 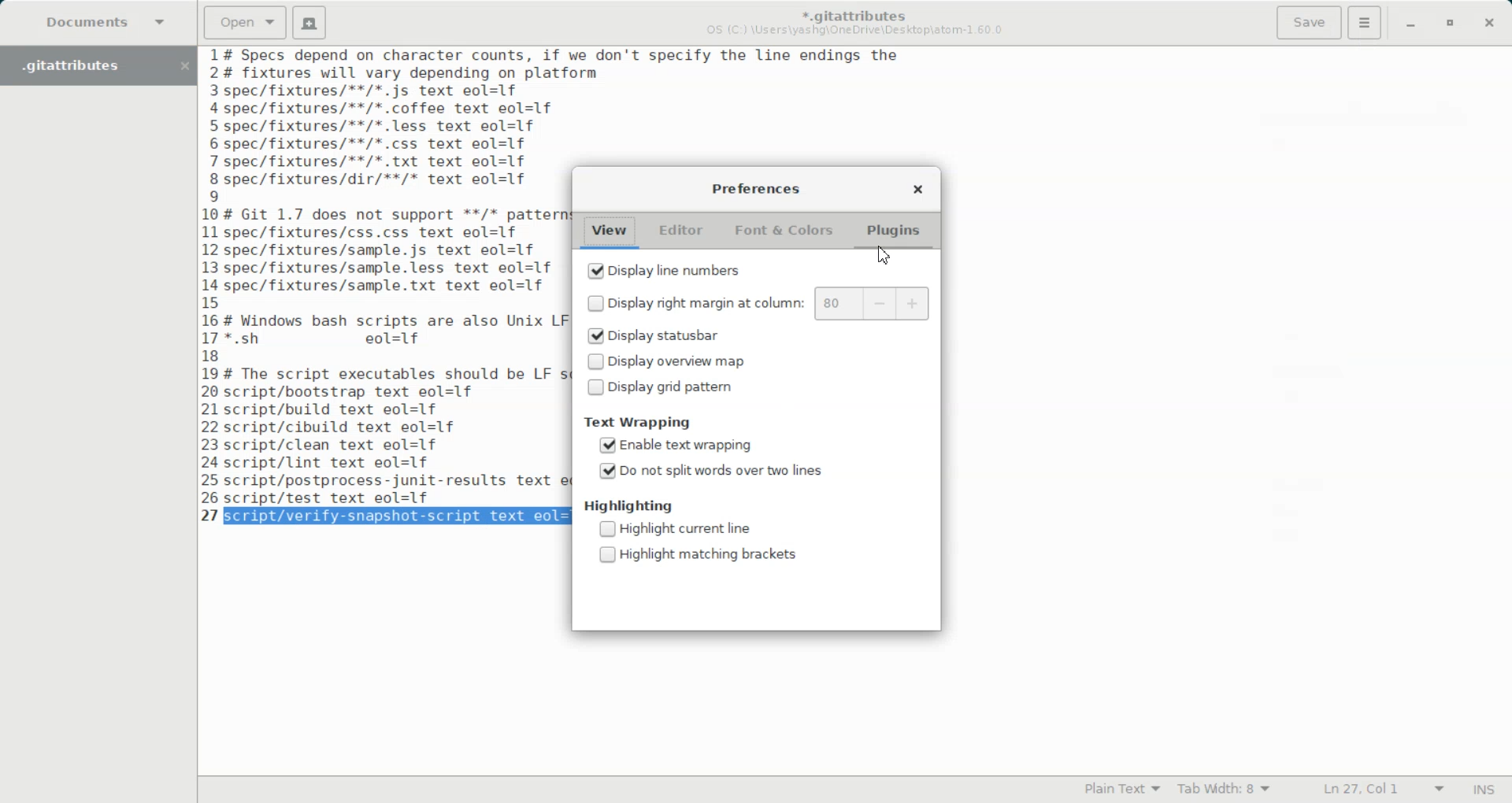 What do you see at coordinates (82, 65) in the screenshot?
I see `Folder` at bounding box center [82, 65].